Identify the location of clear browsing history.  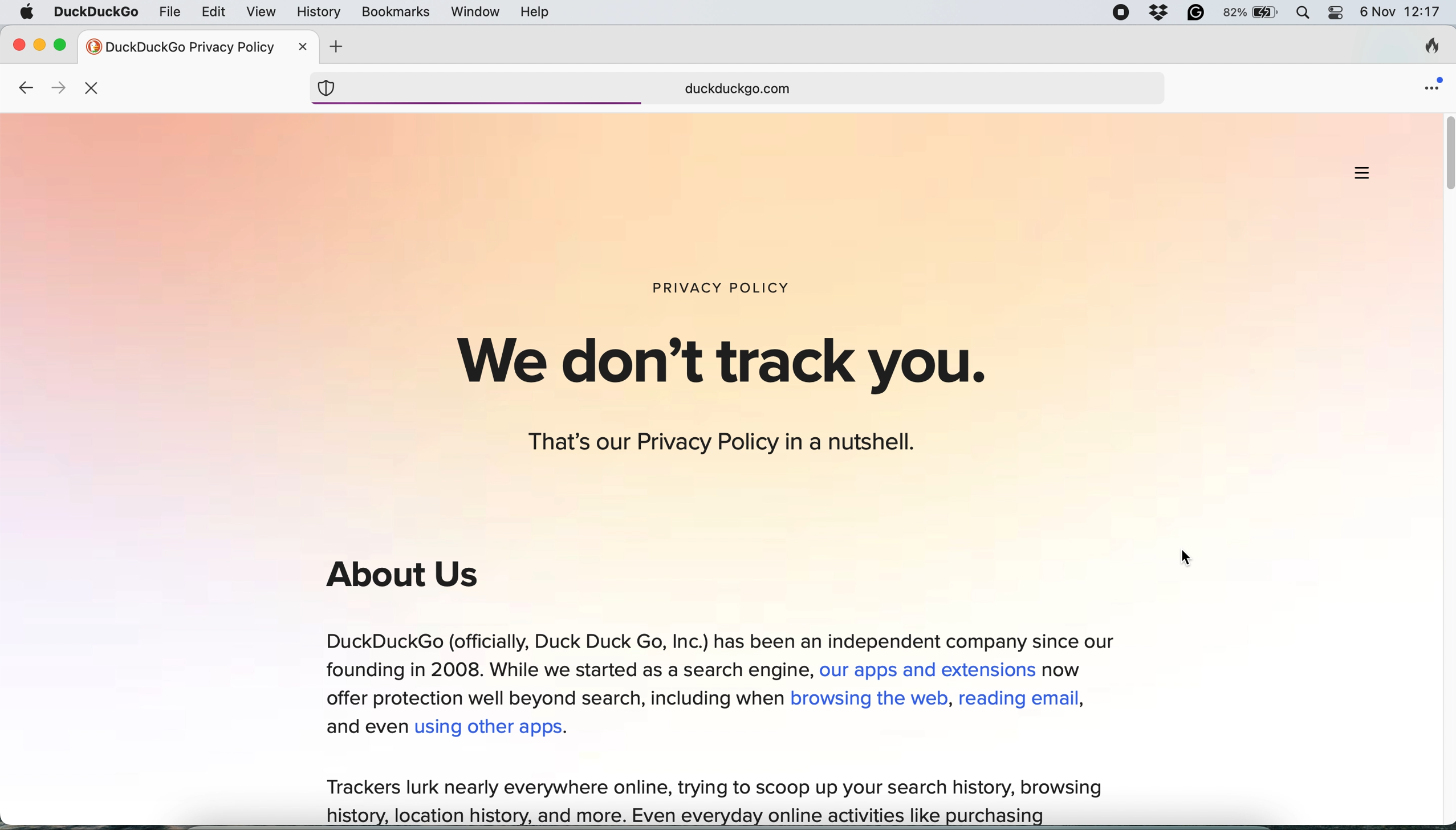
(1424, 48).